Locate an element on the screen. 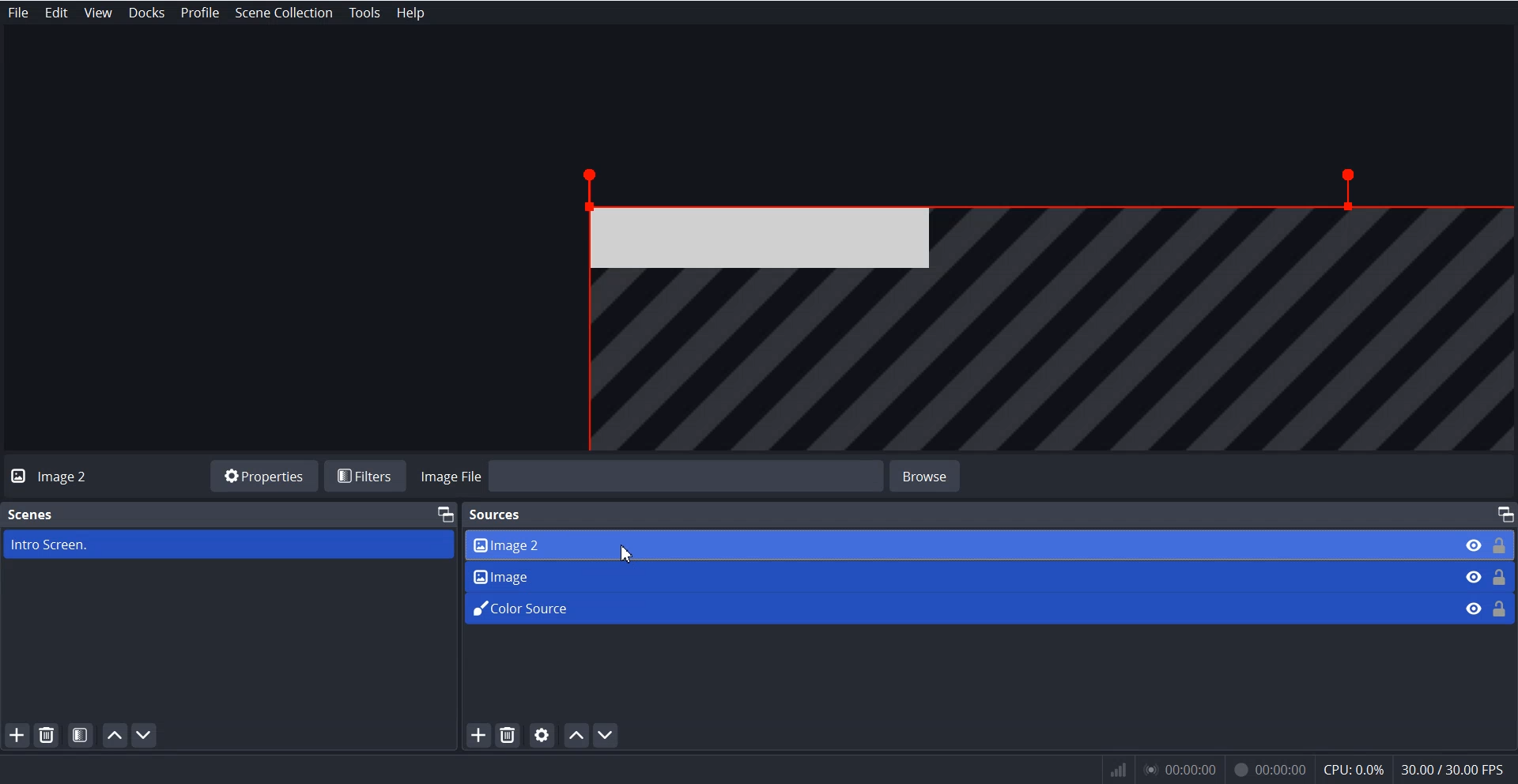 The height and width of the screenshot is (784, 1518). browse is located at coordinates (927, 475).